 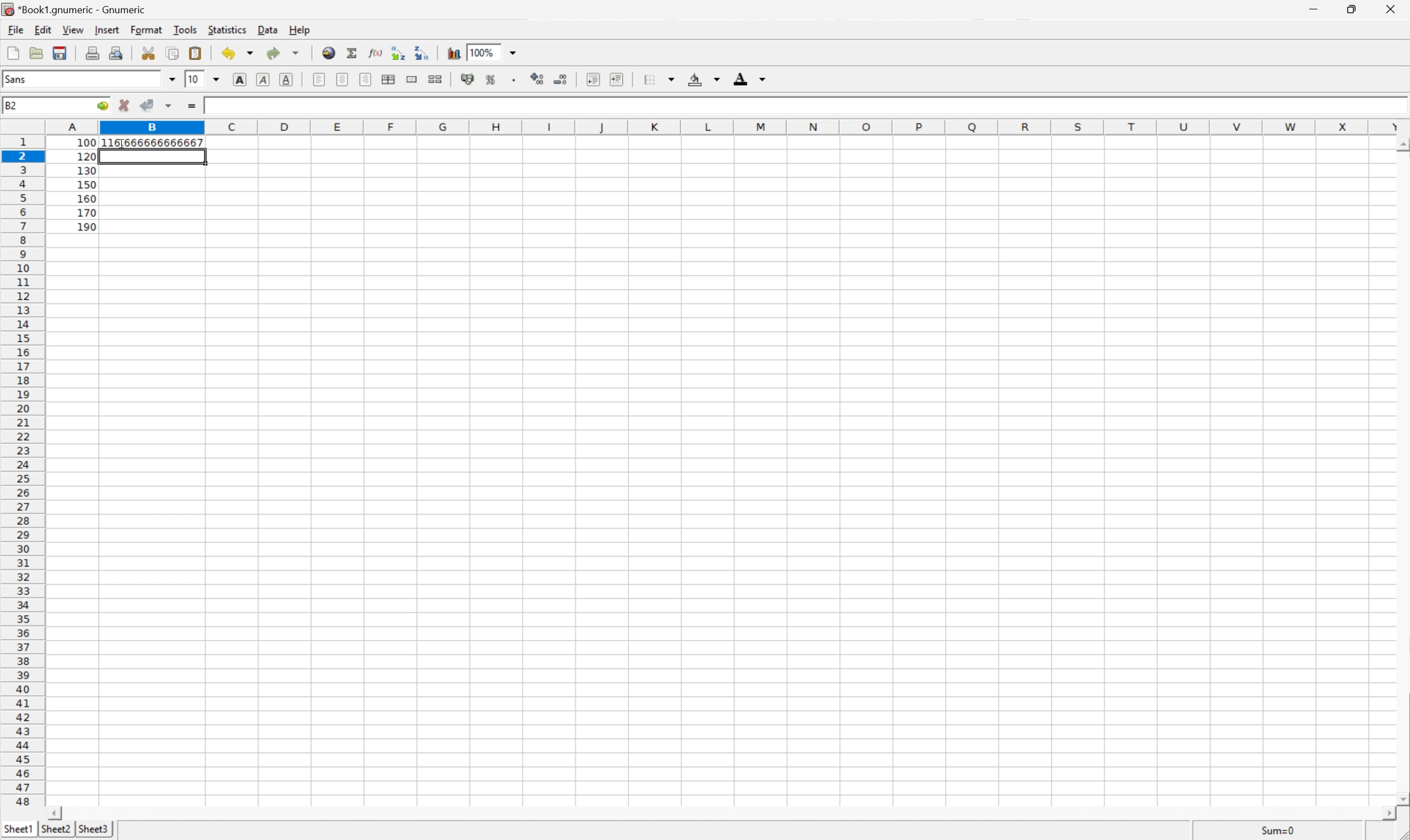 What do you see at coordinates (236, 53) in the screenshot?
I see `Undo` at bounding box center [236, 53].